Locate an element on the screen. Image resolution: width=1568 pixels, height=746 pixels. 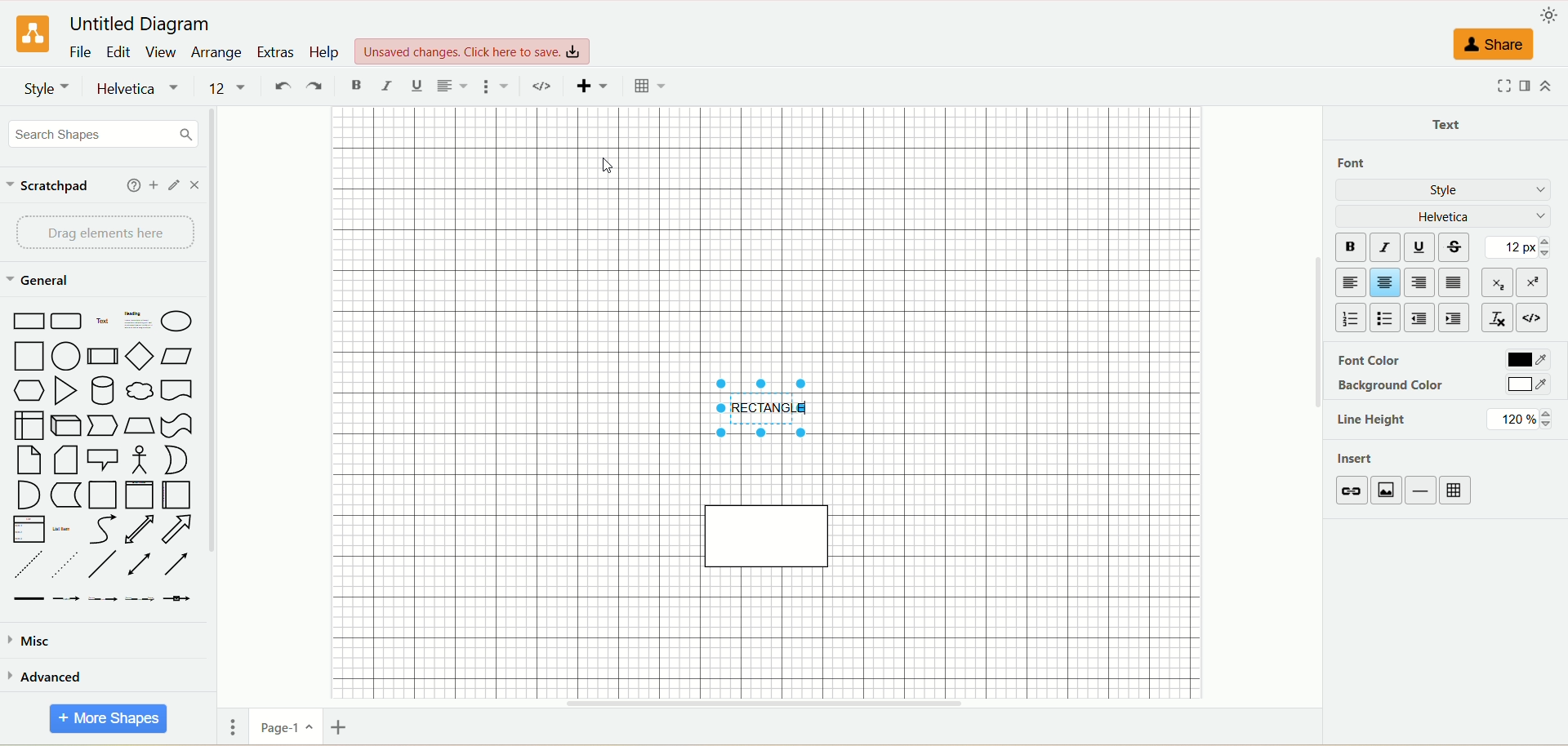
style is located at coordinates (47, 88).